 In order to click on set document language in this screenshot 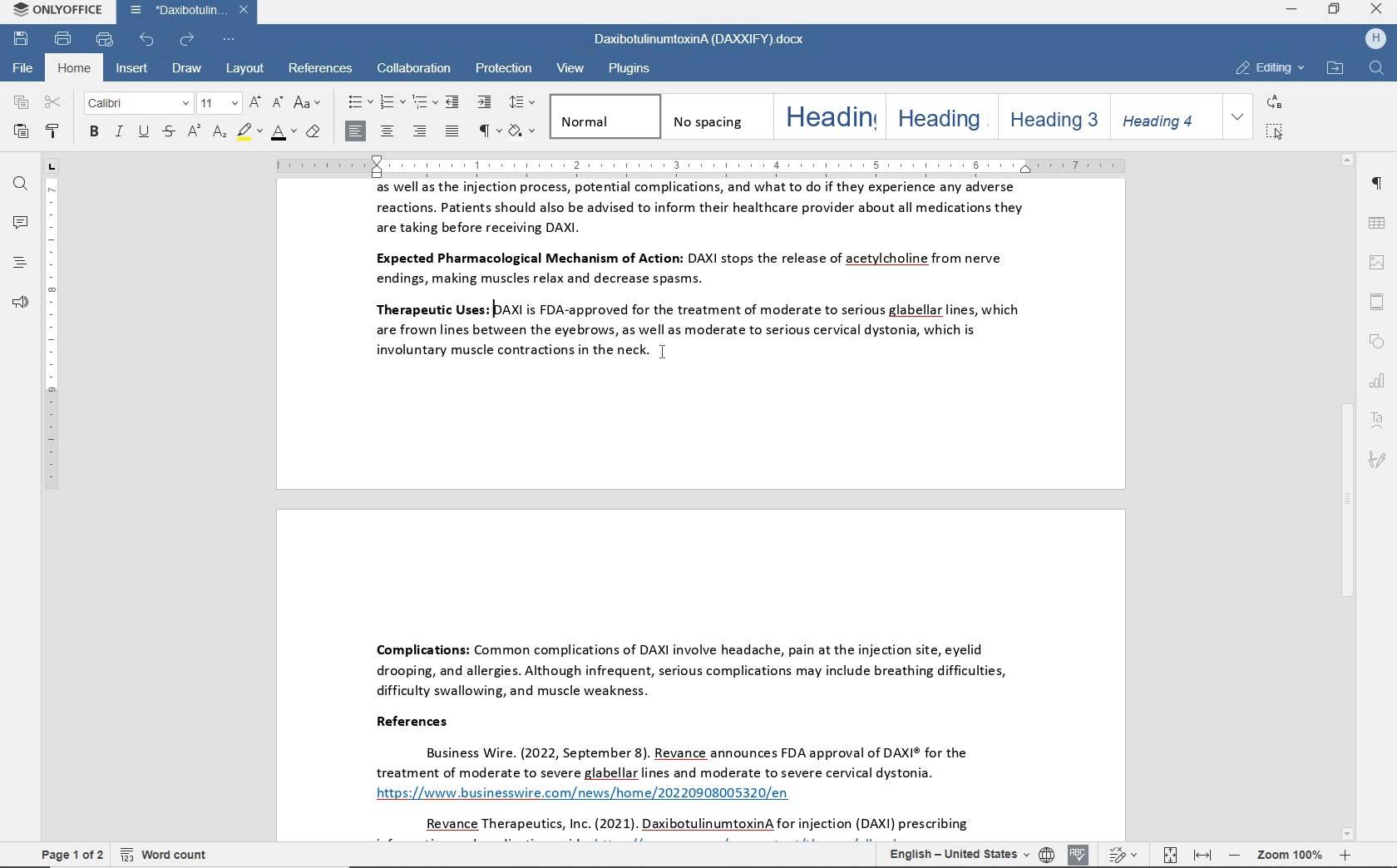, I will do `click(1045, 855)`.